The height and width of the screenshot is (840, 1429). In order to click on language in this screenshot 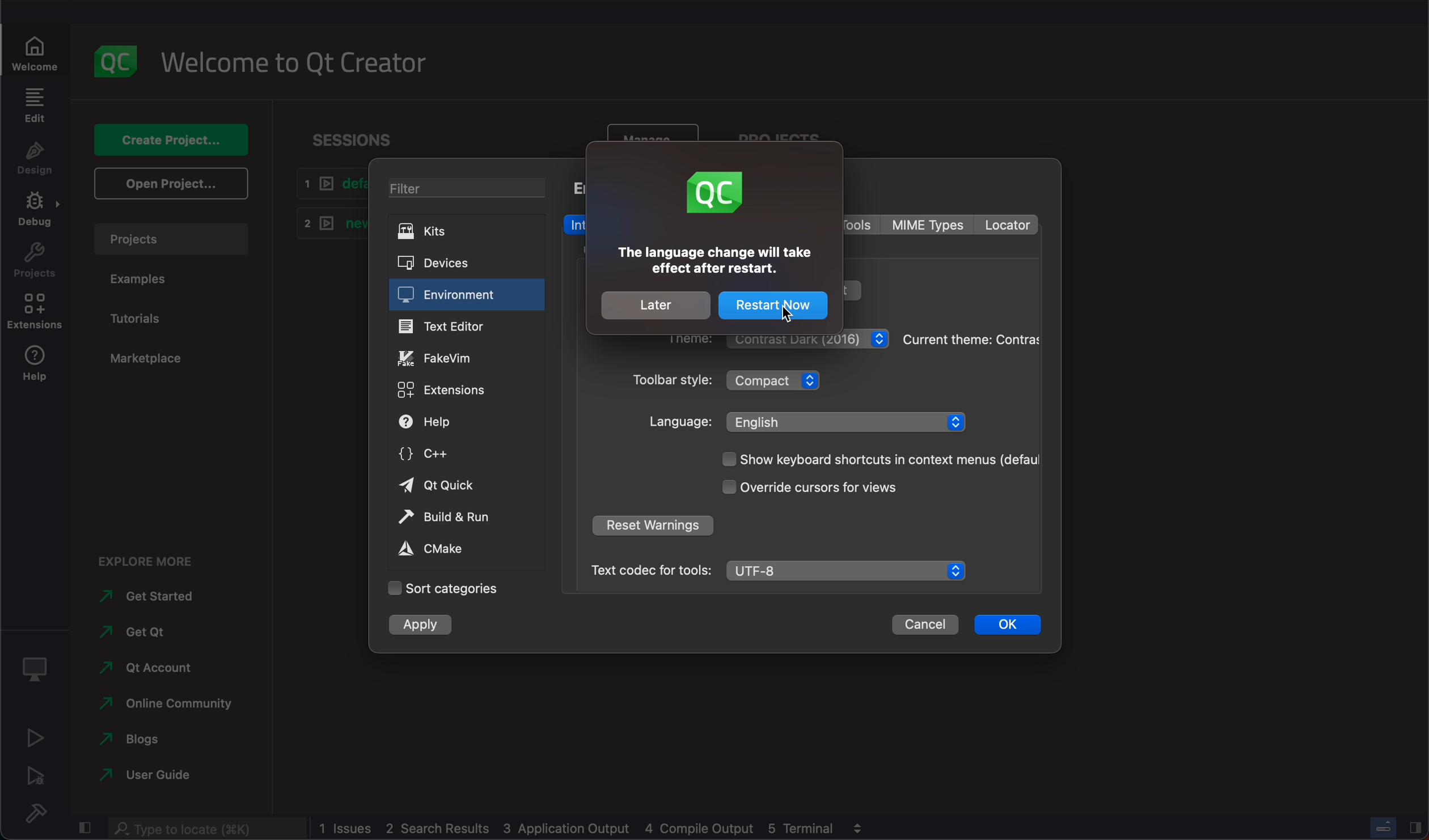, I will do `click(677, 422)`.